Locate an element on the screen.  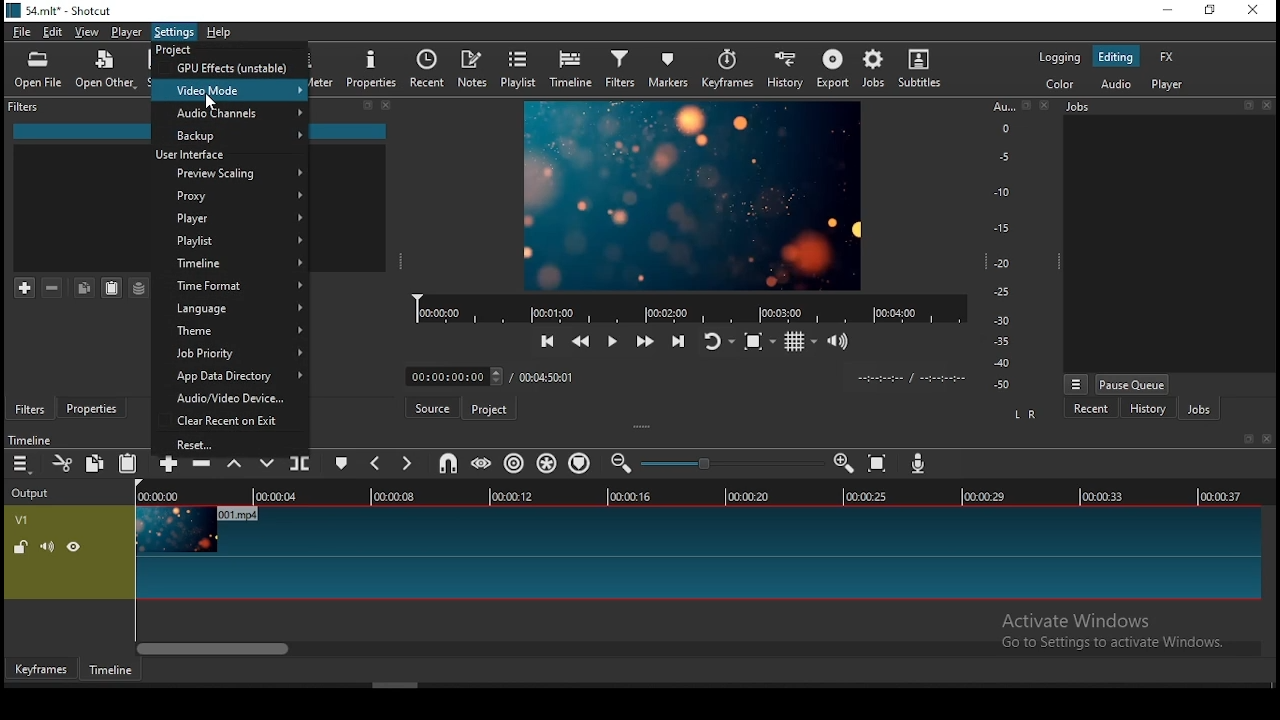
settings is located at coordinates (175, 32).